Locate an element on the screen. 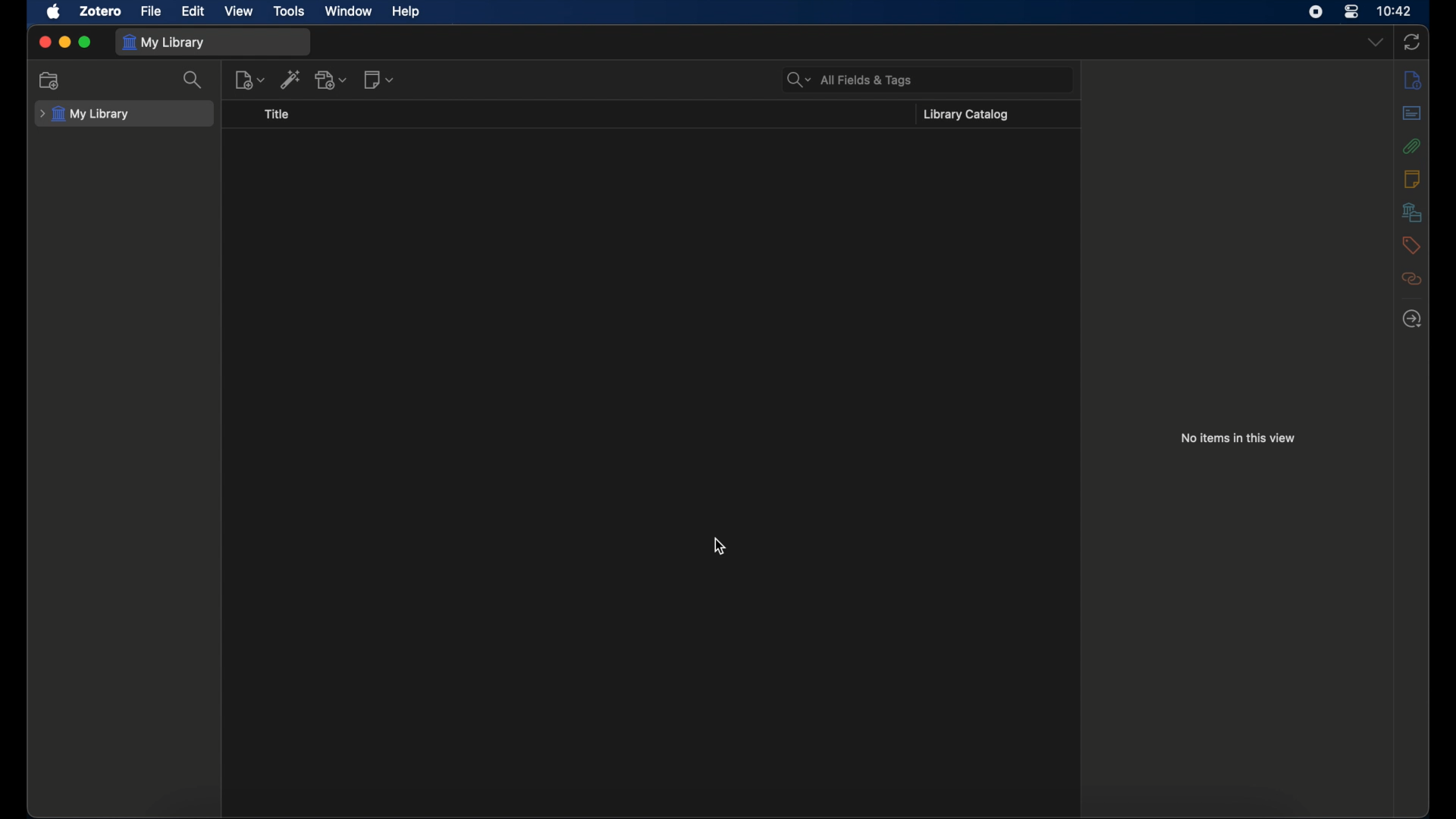  info is located at coordinates (1414, 81).